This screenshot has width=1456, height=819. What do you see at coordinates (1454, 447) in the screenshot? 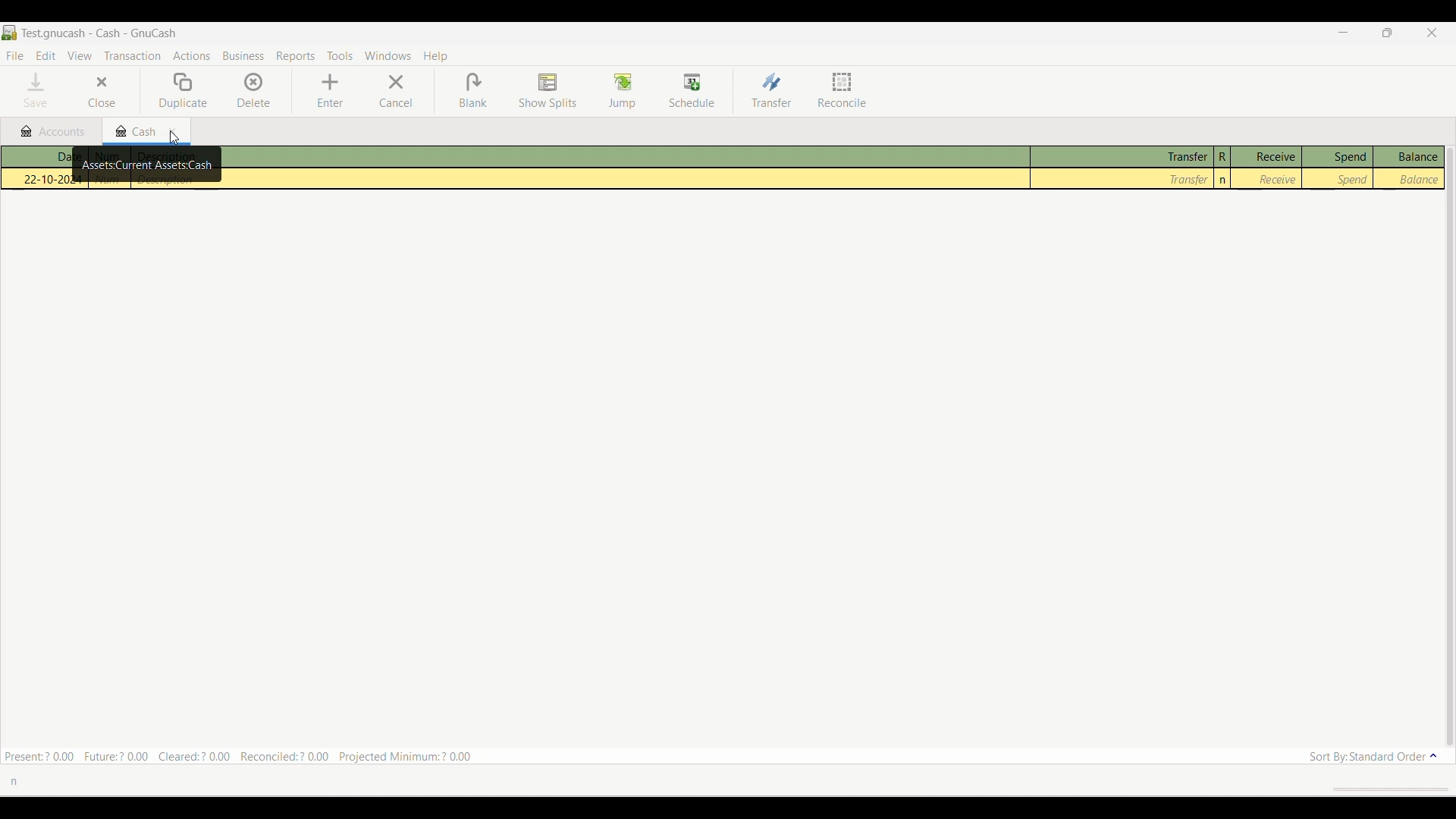
I see `Vertical slide bar` at bounding box center [1454, 447].